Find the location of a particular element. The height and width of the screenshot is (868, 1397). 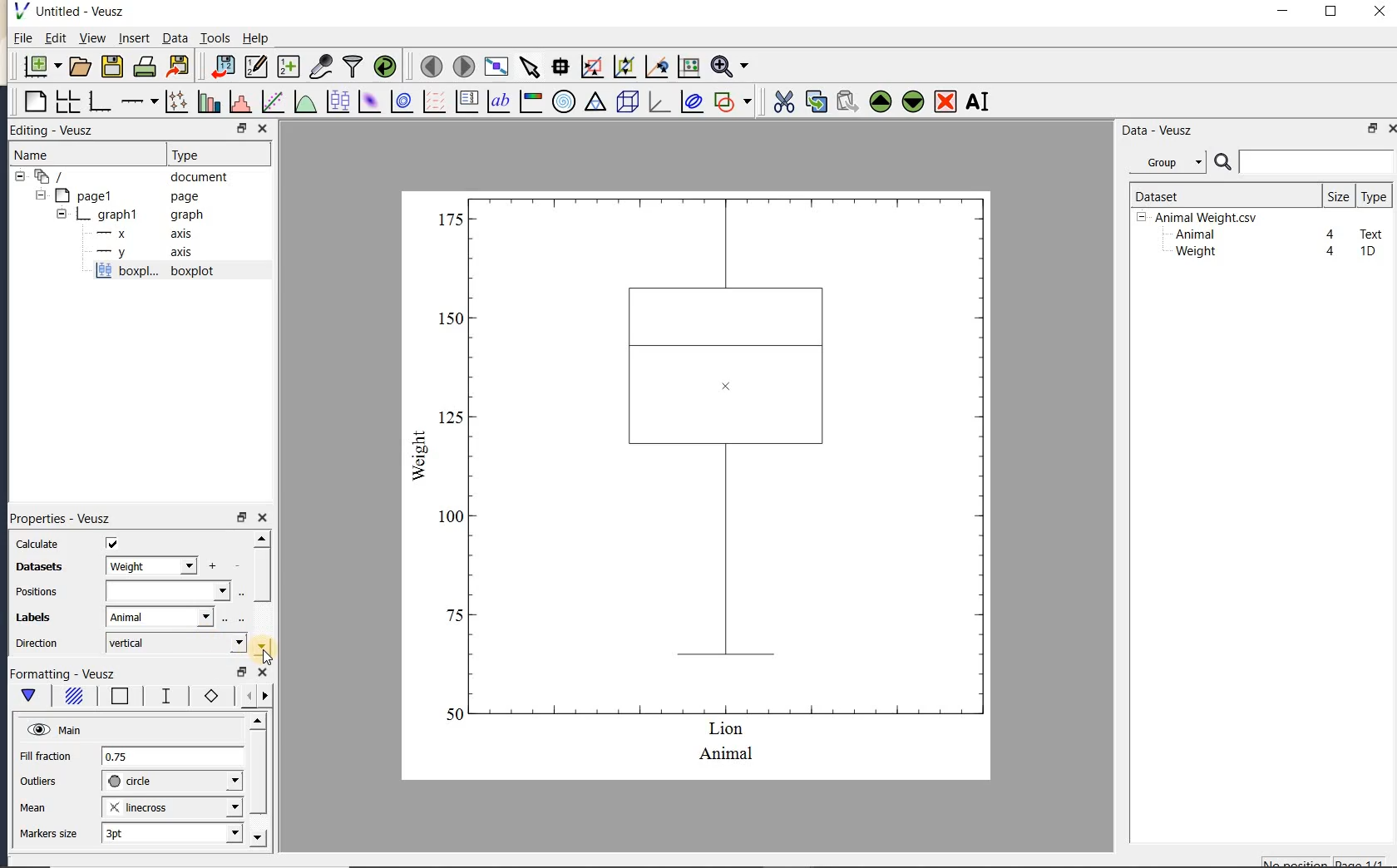

insert is located at coordinates (134, 37).